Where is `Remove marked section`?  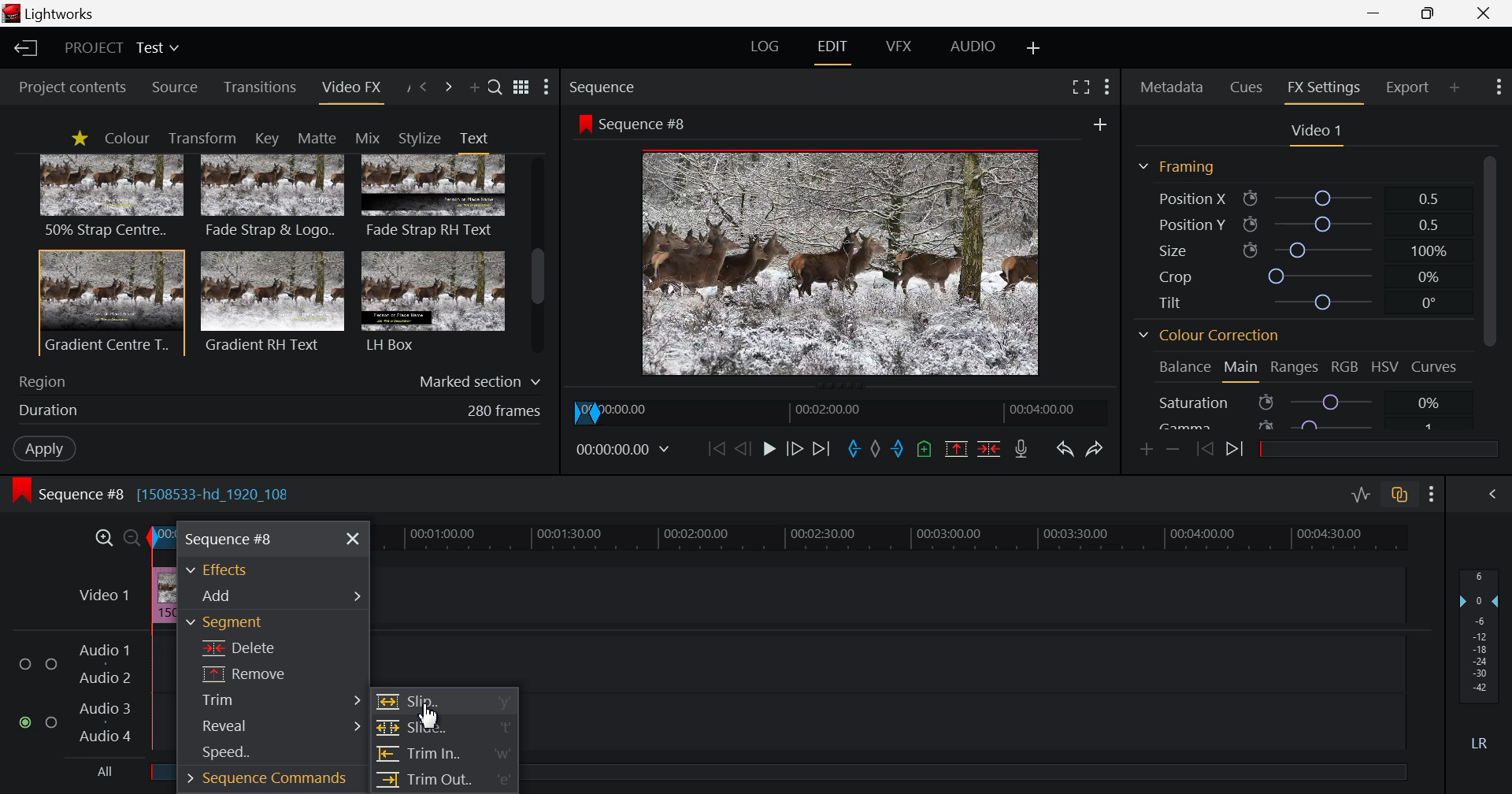 Remove marked section is located at coordinates (956, 448).